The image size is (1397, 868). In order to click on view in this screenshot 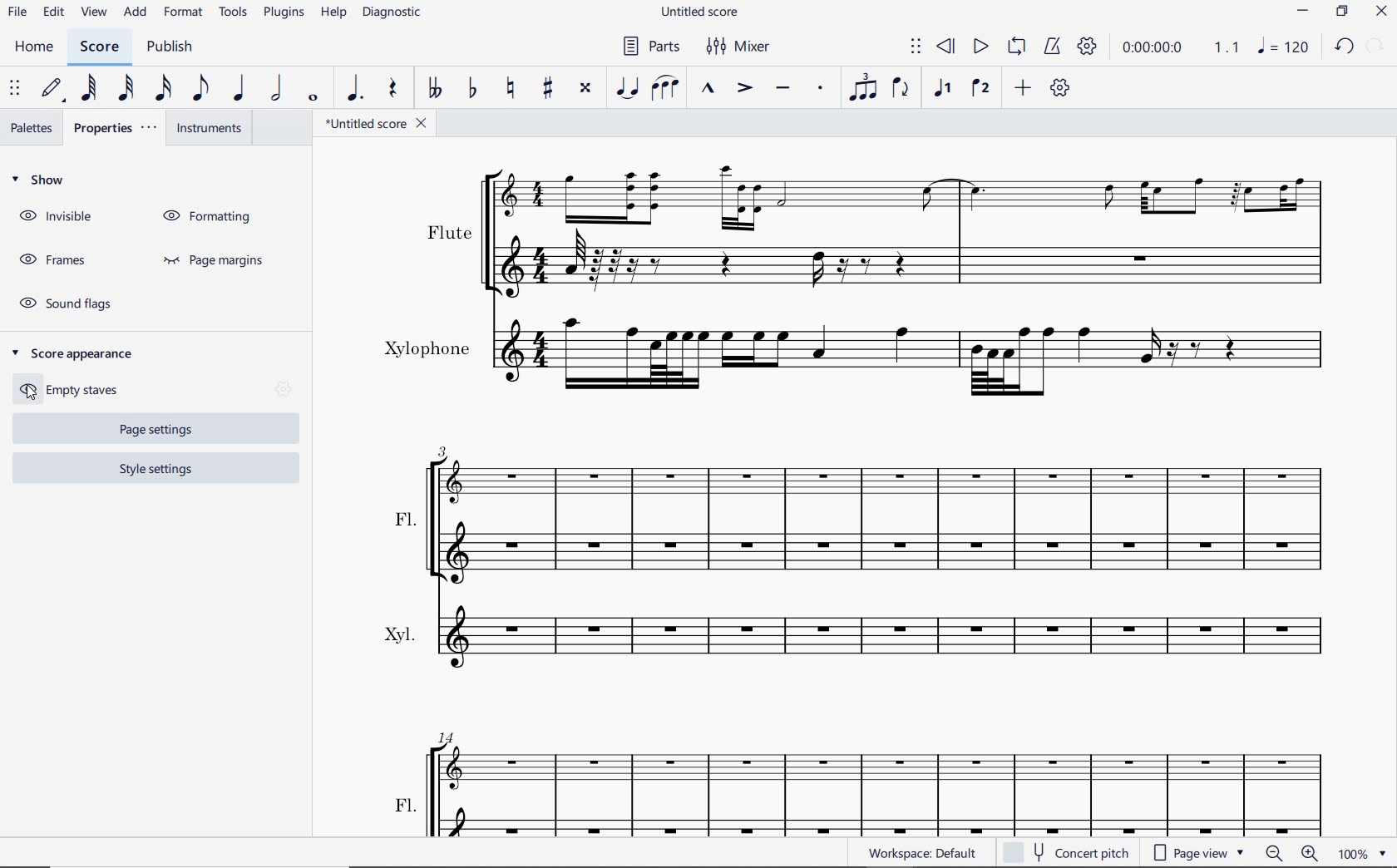, I will do `click(93, 12)`.